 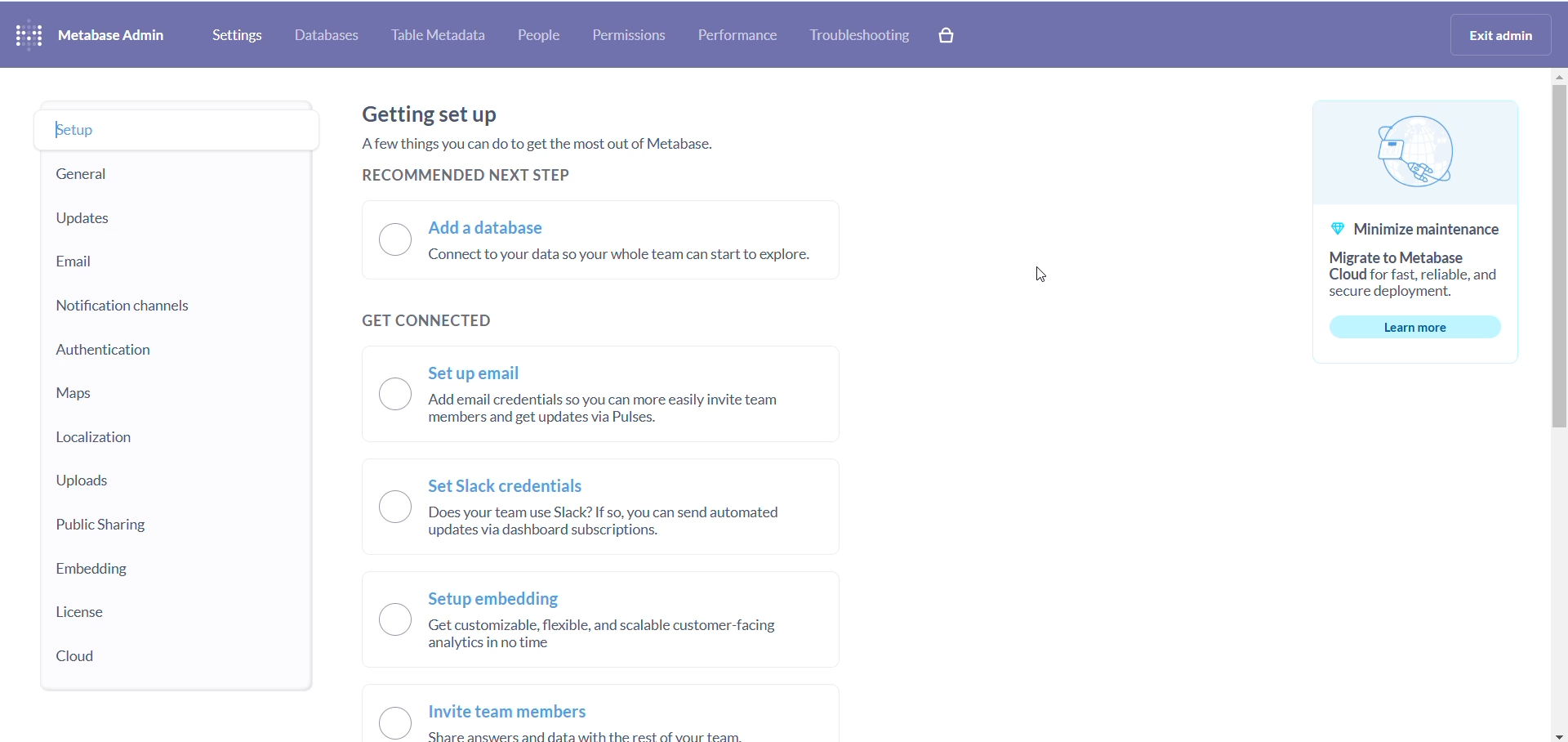 What do you see at coordinates (621, 722) in the screenshot?
I see `Invite team members Share answers and data with the rest of your team` at bounding box center [621, 722].